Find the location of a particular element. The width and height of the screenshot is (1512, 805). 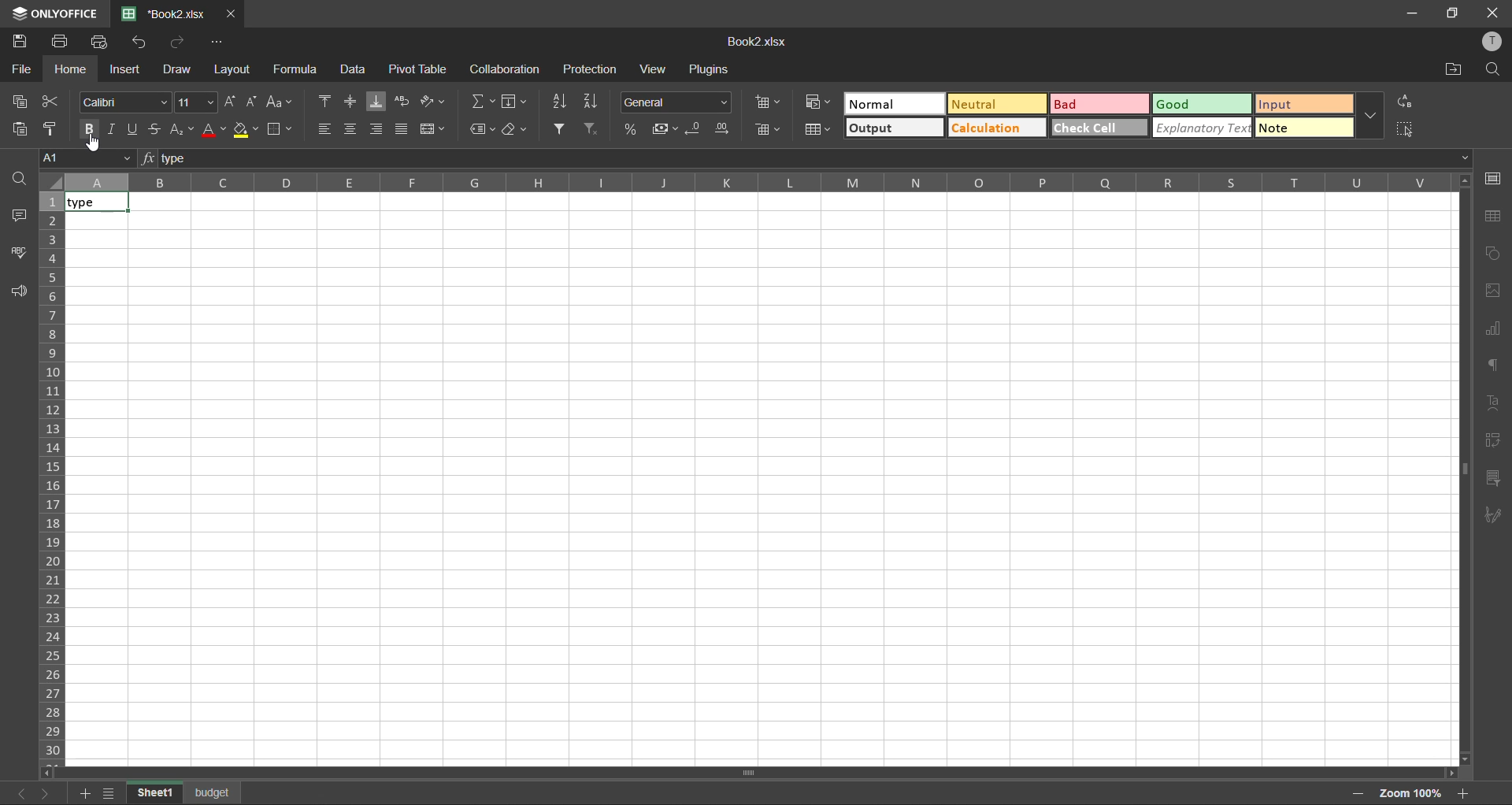

font style is located at coordinates (122, 103).